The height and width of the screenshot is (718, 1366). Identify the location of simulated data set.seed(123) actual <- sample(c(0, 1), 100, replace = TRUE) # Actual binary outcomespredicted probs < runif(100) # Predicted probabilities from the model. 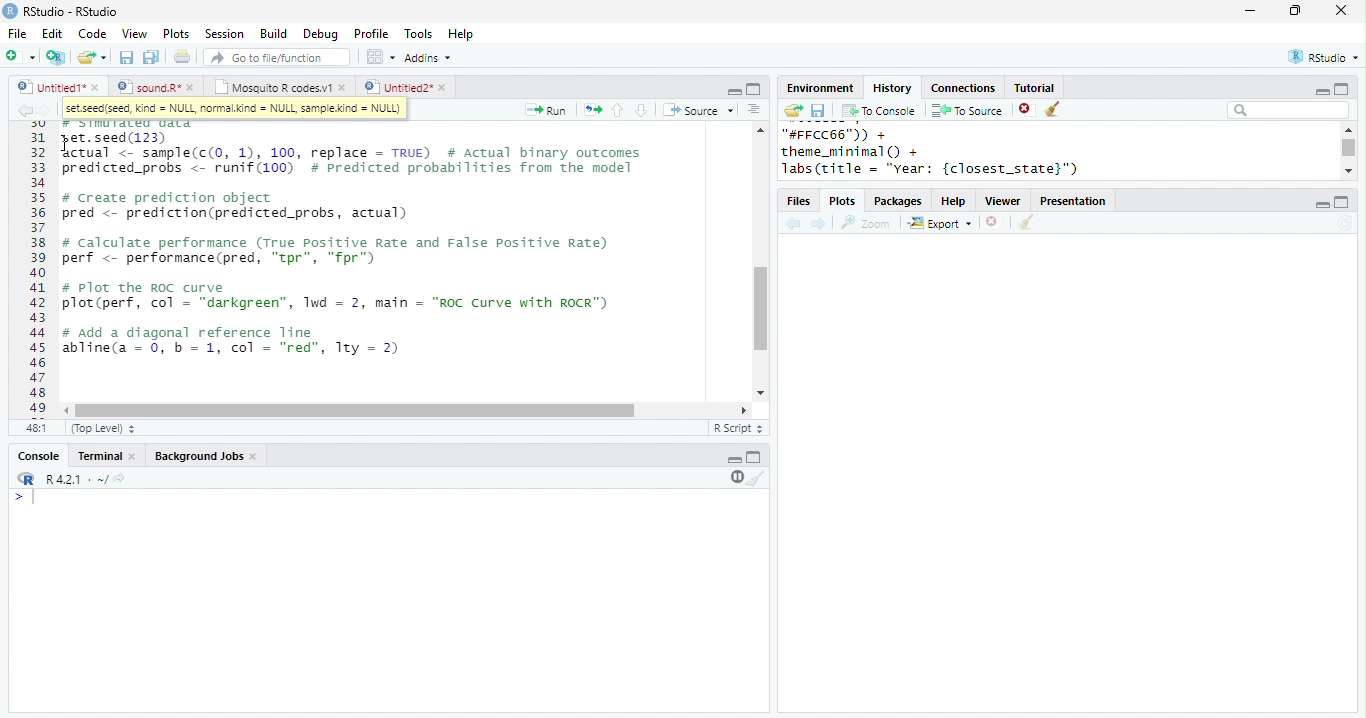
(355, 148).